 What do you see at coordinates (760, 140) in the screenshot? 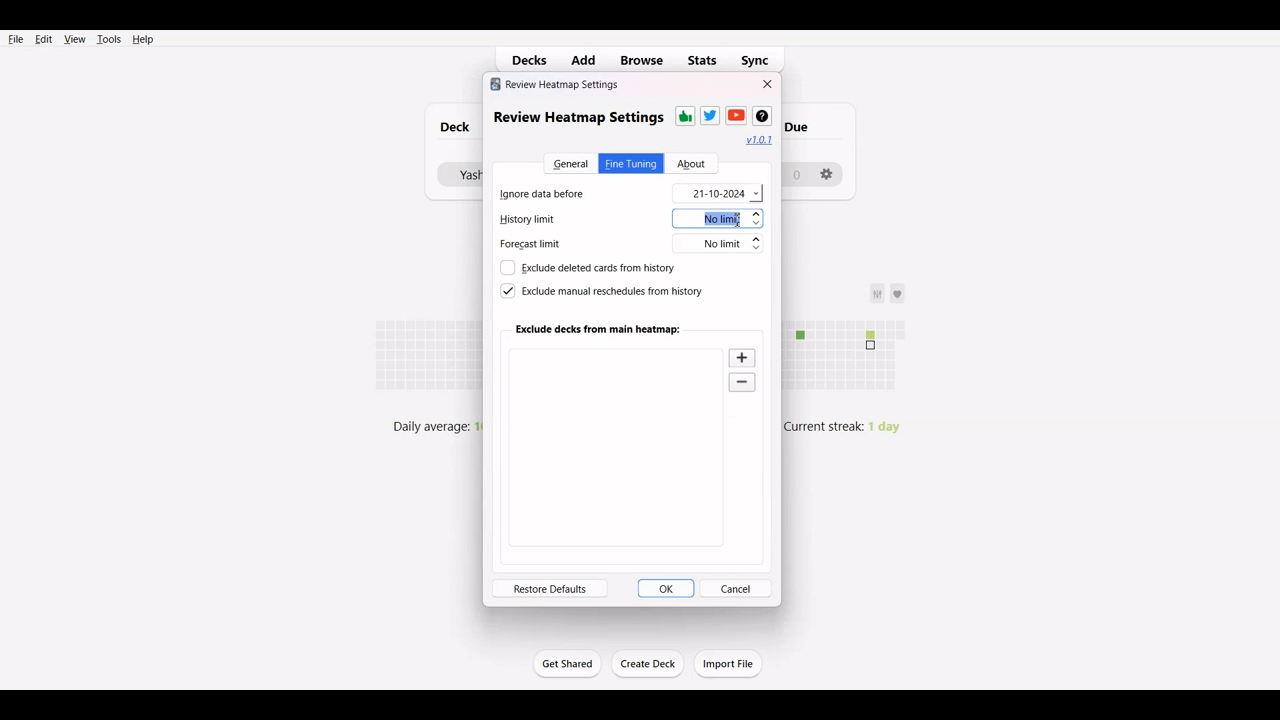
I see `Hyperlink` at bounding box center [760, 140].